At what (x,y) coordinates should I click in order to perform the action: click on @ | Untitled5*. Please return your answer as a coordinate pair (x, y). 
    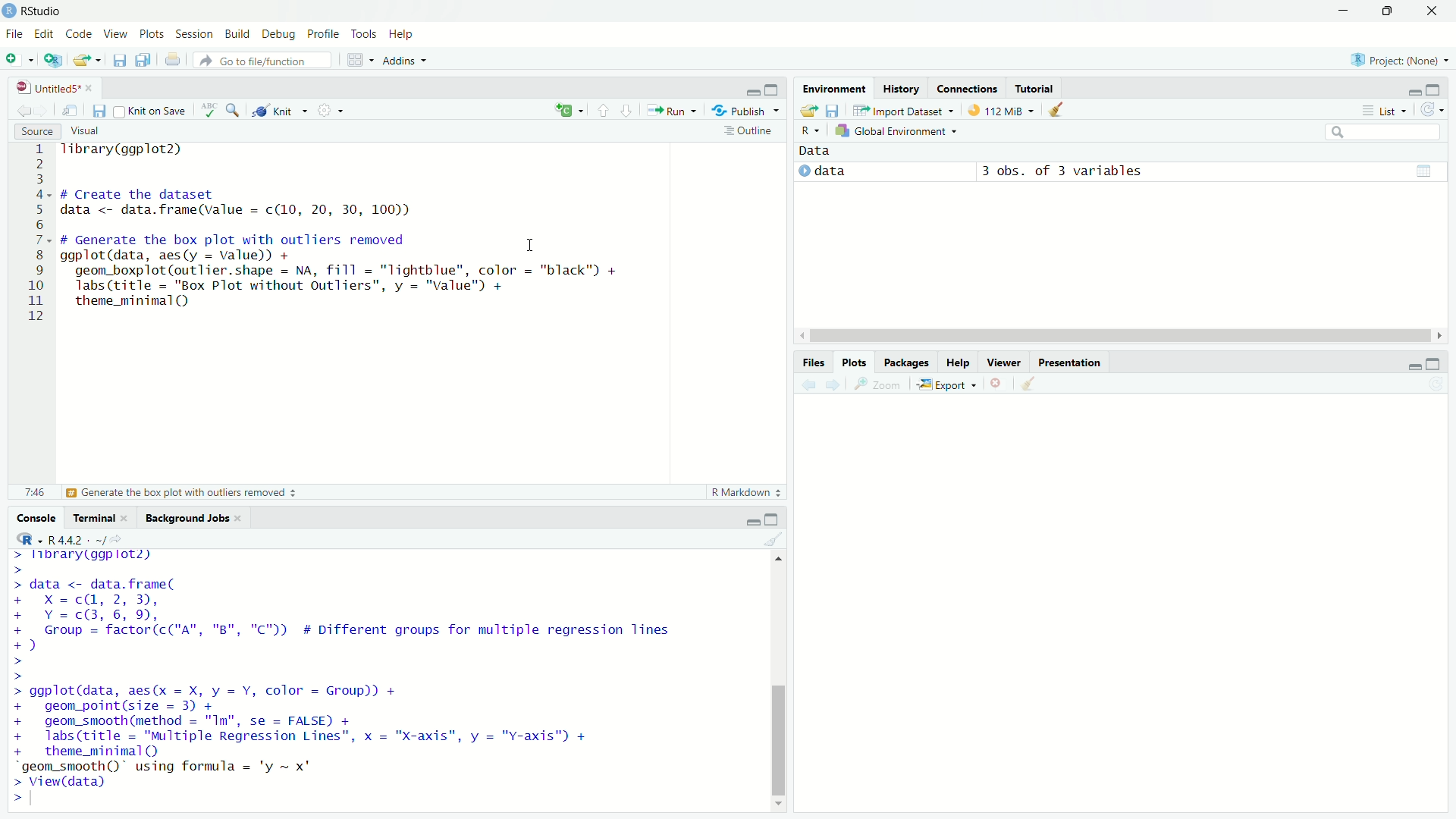
    Looking at the image, I should click on (52, 89).